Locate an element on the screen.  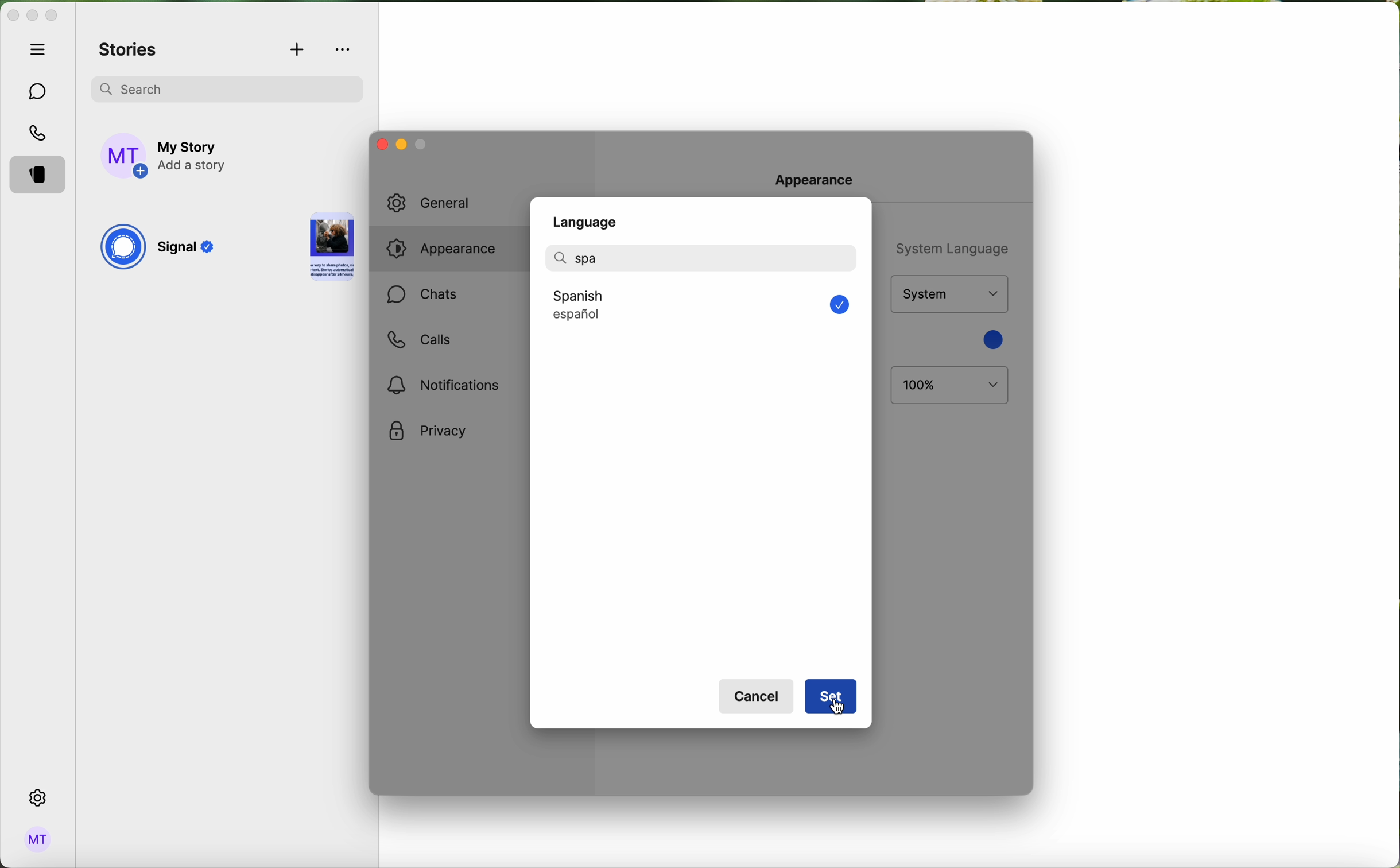
stories is located at coordinates (41, 176).